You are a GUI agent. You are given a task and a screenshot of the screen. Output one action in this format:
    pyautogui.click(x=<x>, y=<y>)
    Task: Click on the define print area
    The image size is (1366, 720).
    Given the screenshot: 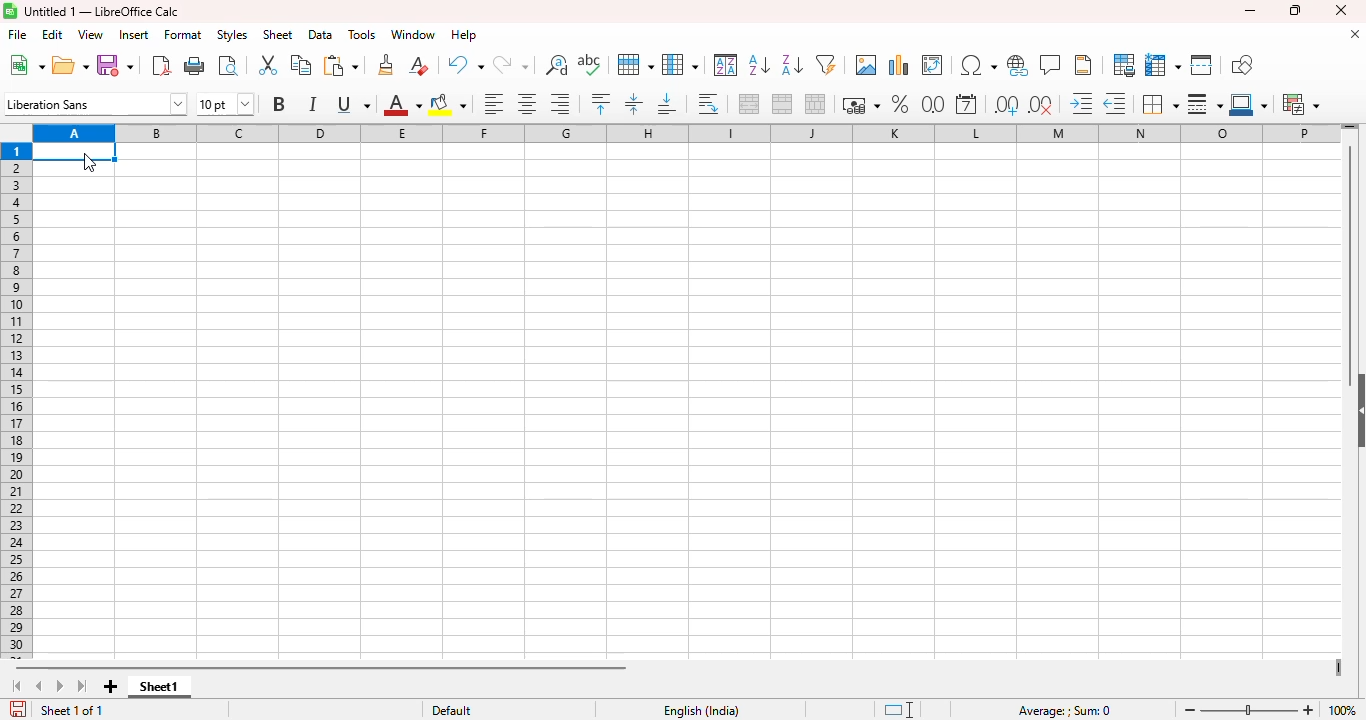 What is the action you would take?
    pyautogui.click(x=1124, y=65)
    